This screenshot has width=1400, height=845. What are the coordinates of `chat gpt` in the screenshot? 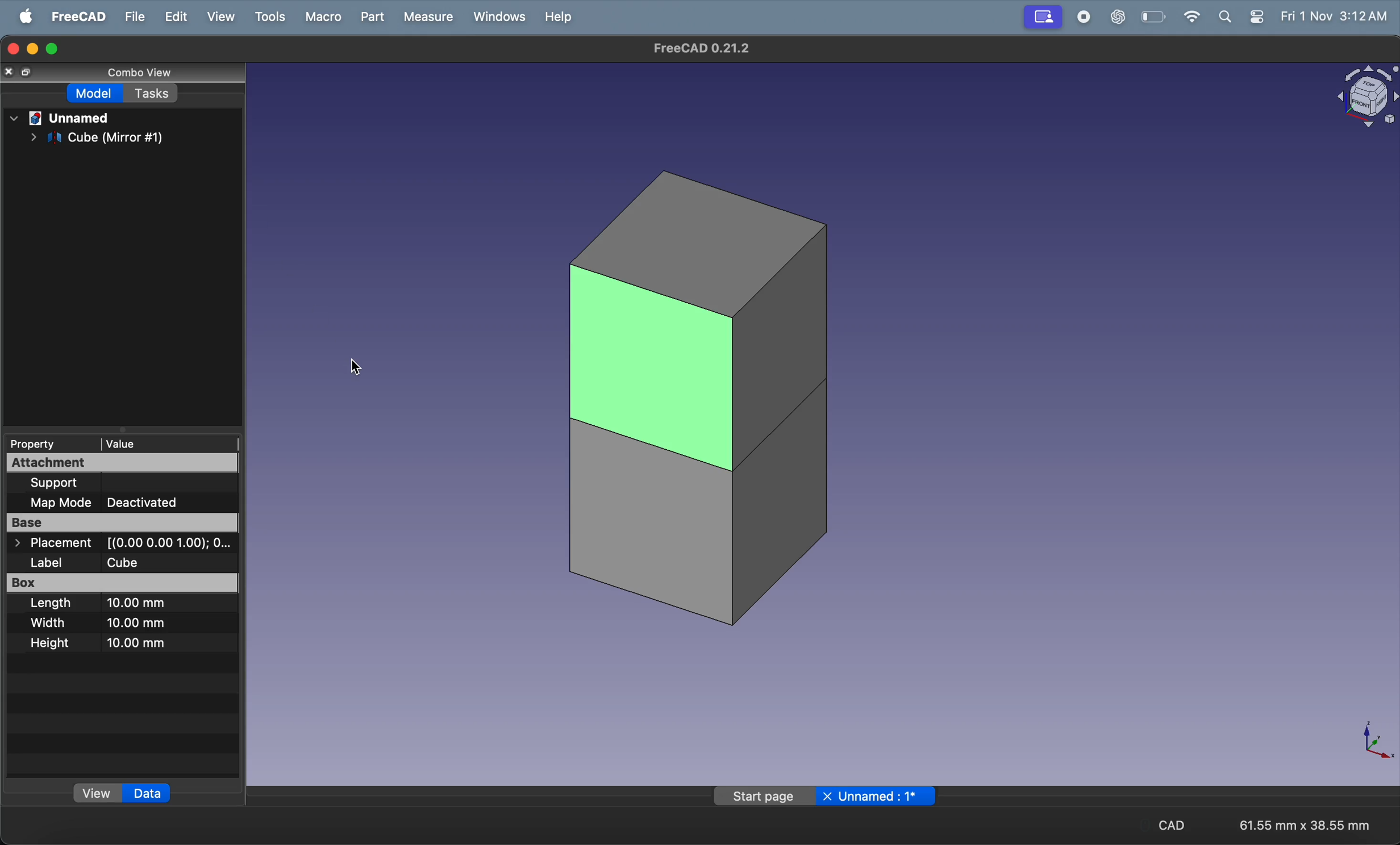 It's located at (1121, 16).